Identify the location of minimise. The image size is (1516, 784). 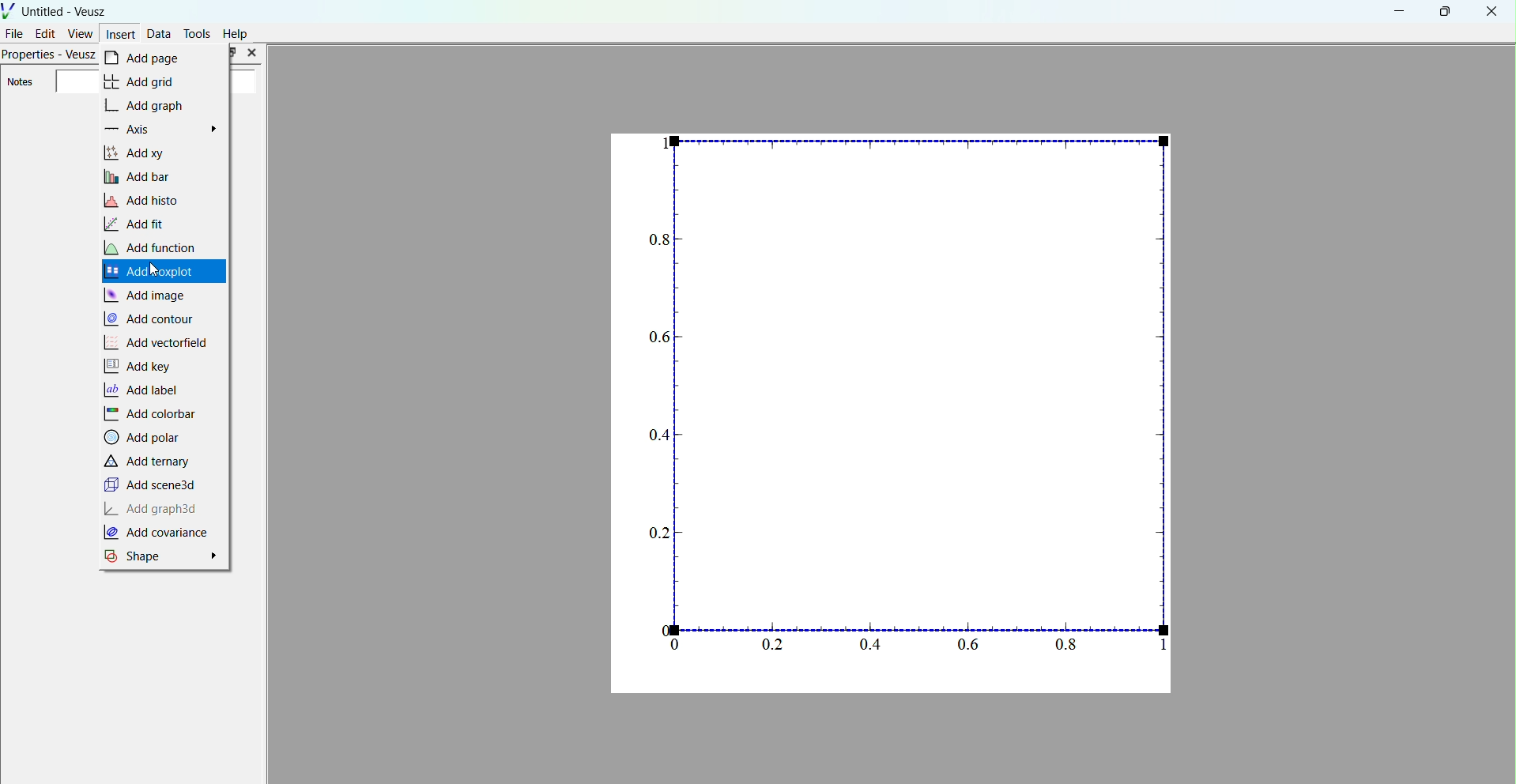
(1400, 10).